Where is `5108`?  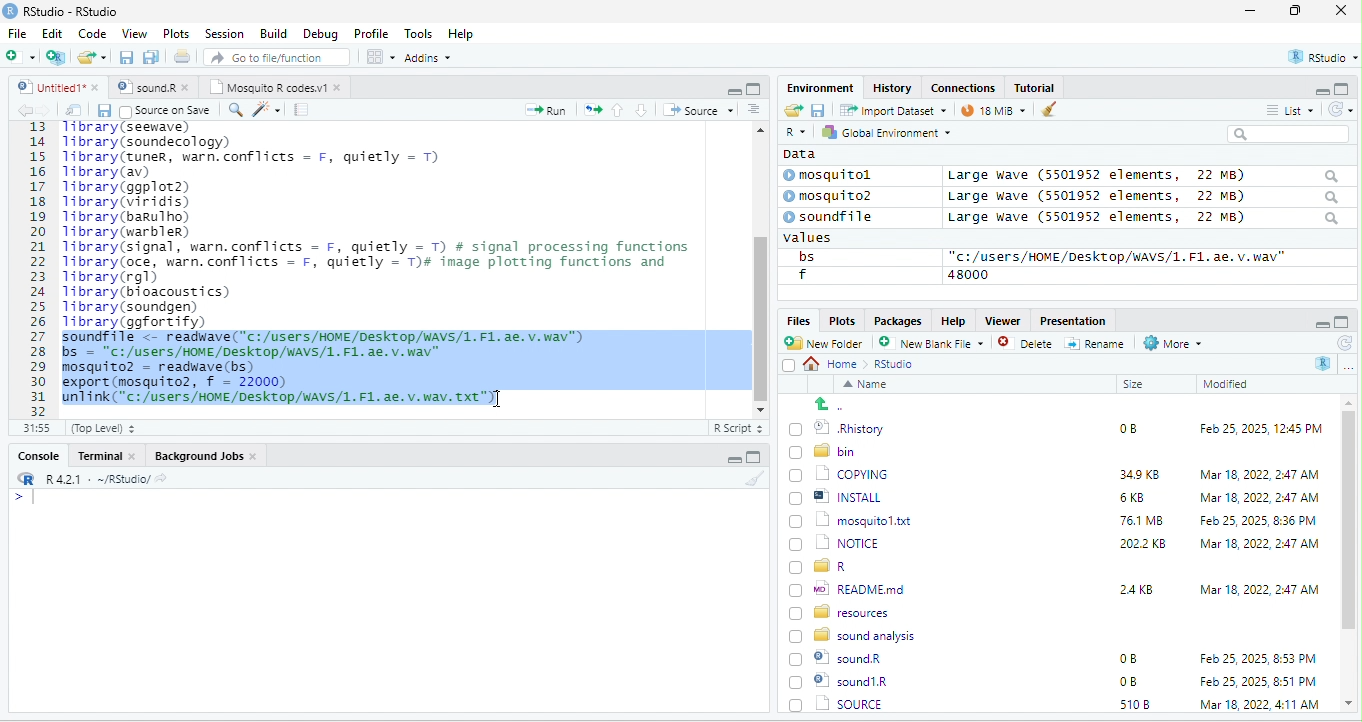
5108 is located at coordinates (1130, 680).